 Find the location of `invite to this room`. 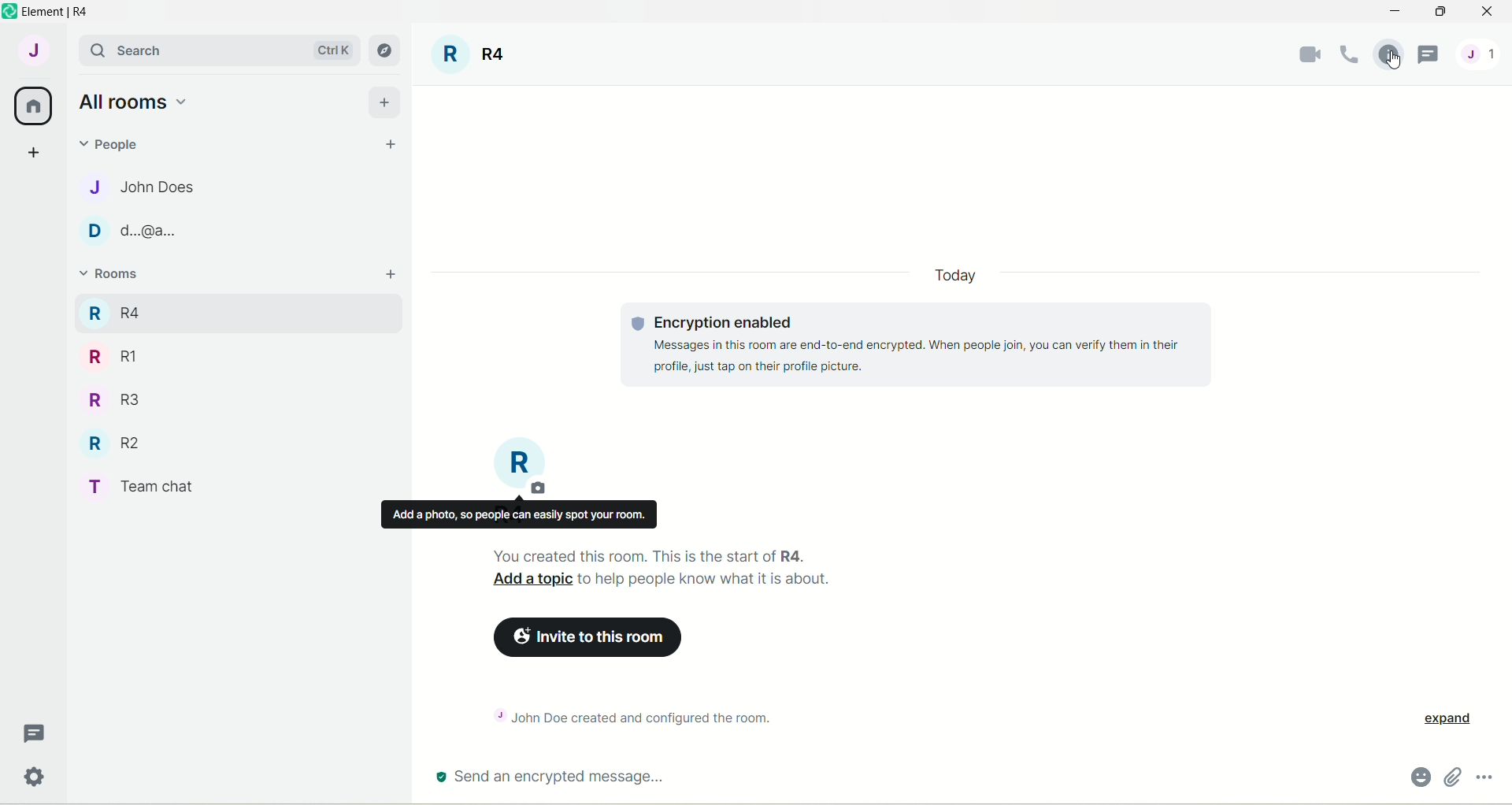

invite to this room is located at coordinates (593, 639).